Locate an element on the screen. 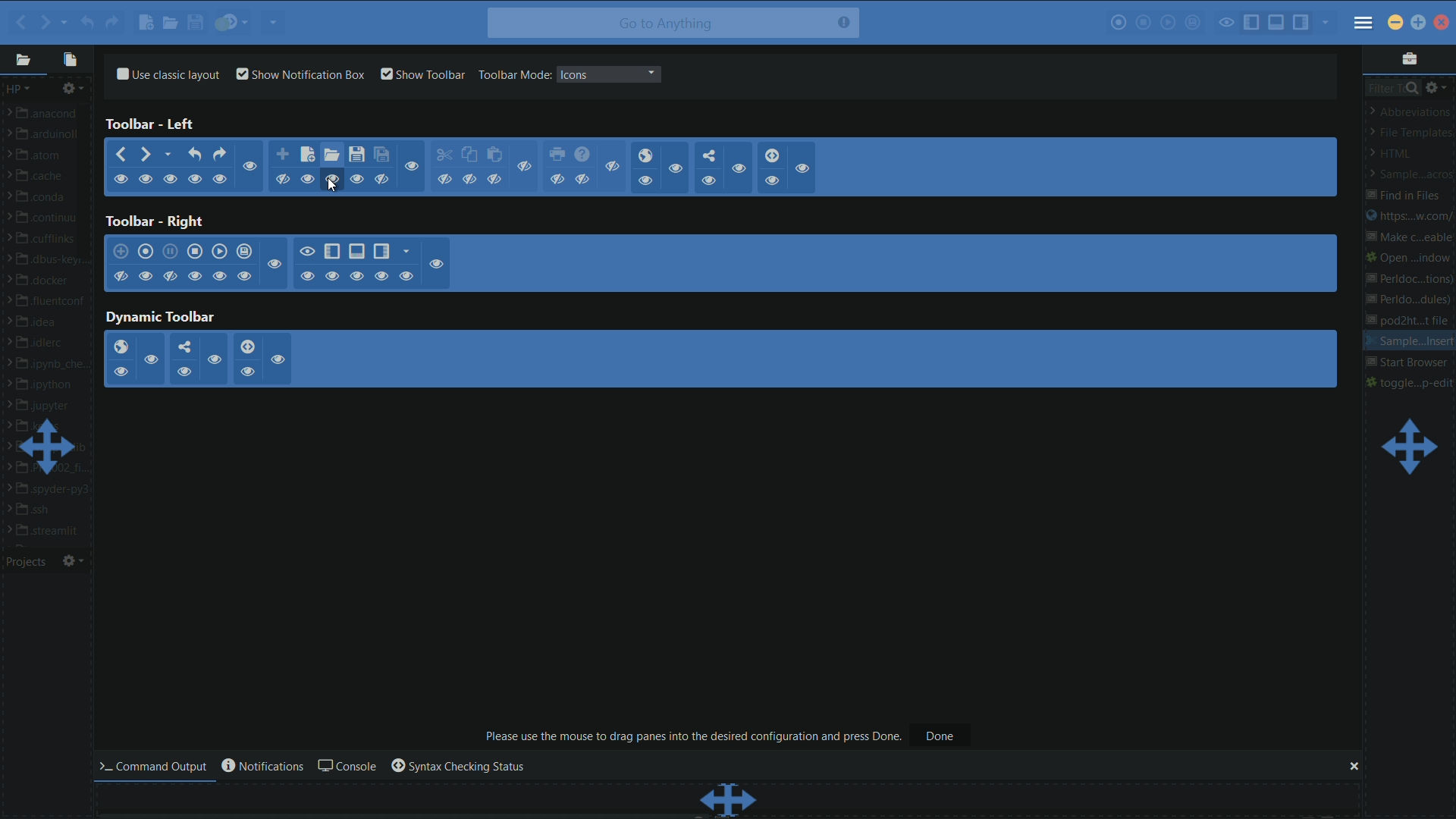 This screenshot has height=819, width=1456. .jupyter is located at coordinates (47, 406).